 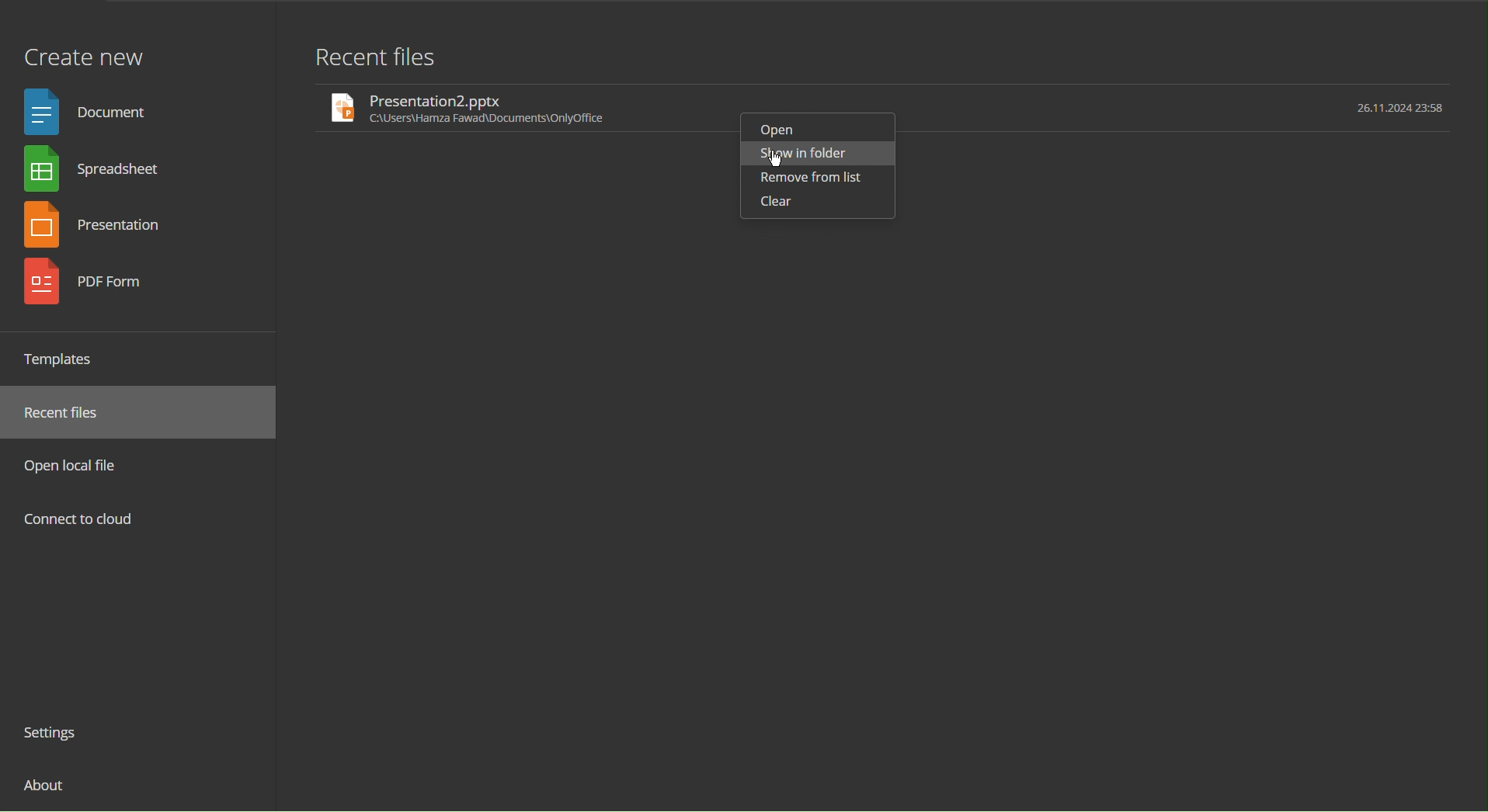 What do you see at coordinates (80, 521) in the screenshot?
I see `Connect to Cloud` at bounding box center [80, 521].